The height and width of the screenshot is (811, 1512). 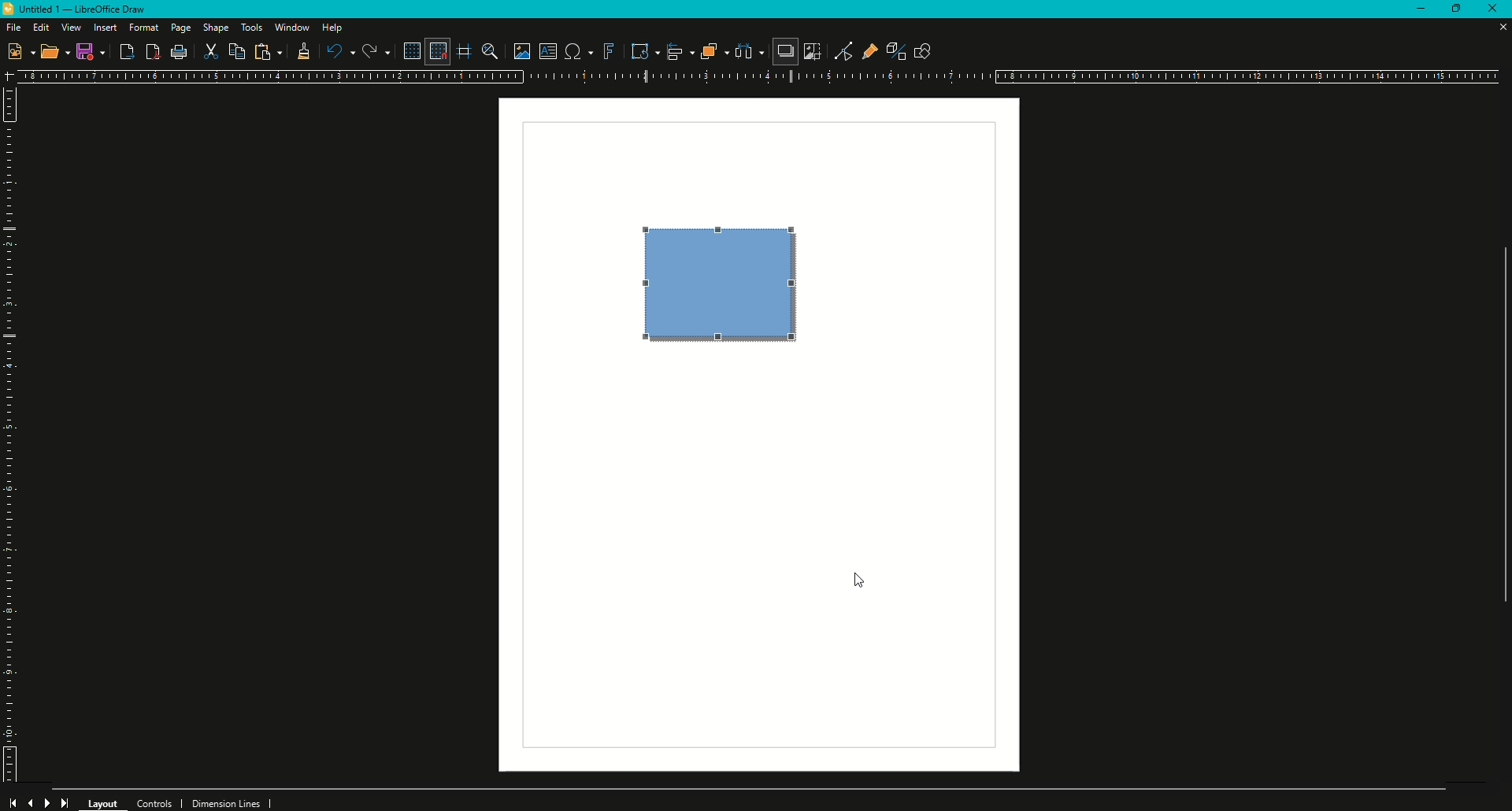 I want to click on Controls, so click(x=159, y=802).